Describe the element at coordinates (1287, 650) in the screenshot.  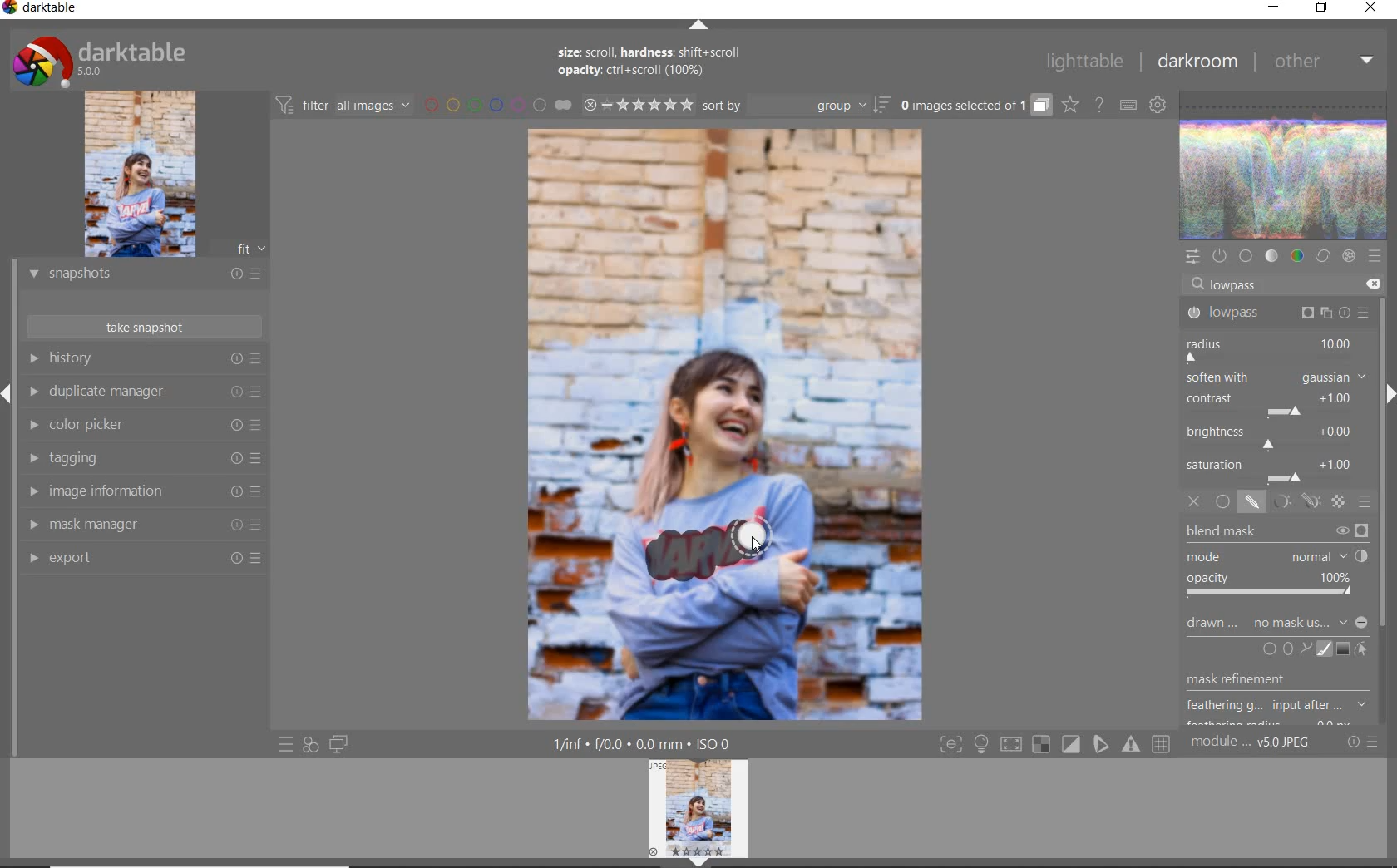
I see `add circle, ellipse, or path` at that location.